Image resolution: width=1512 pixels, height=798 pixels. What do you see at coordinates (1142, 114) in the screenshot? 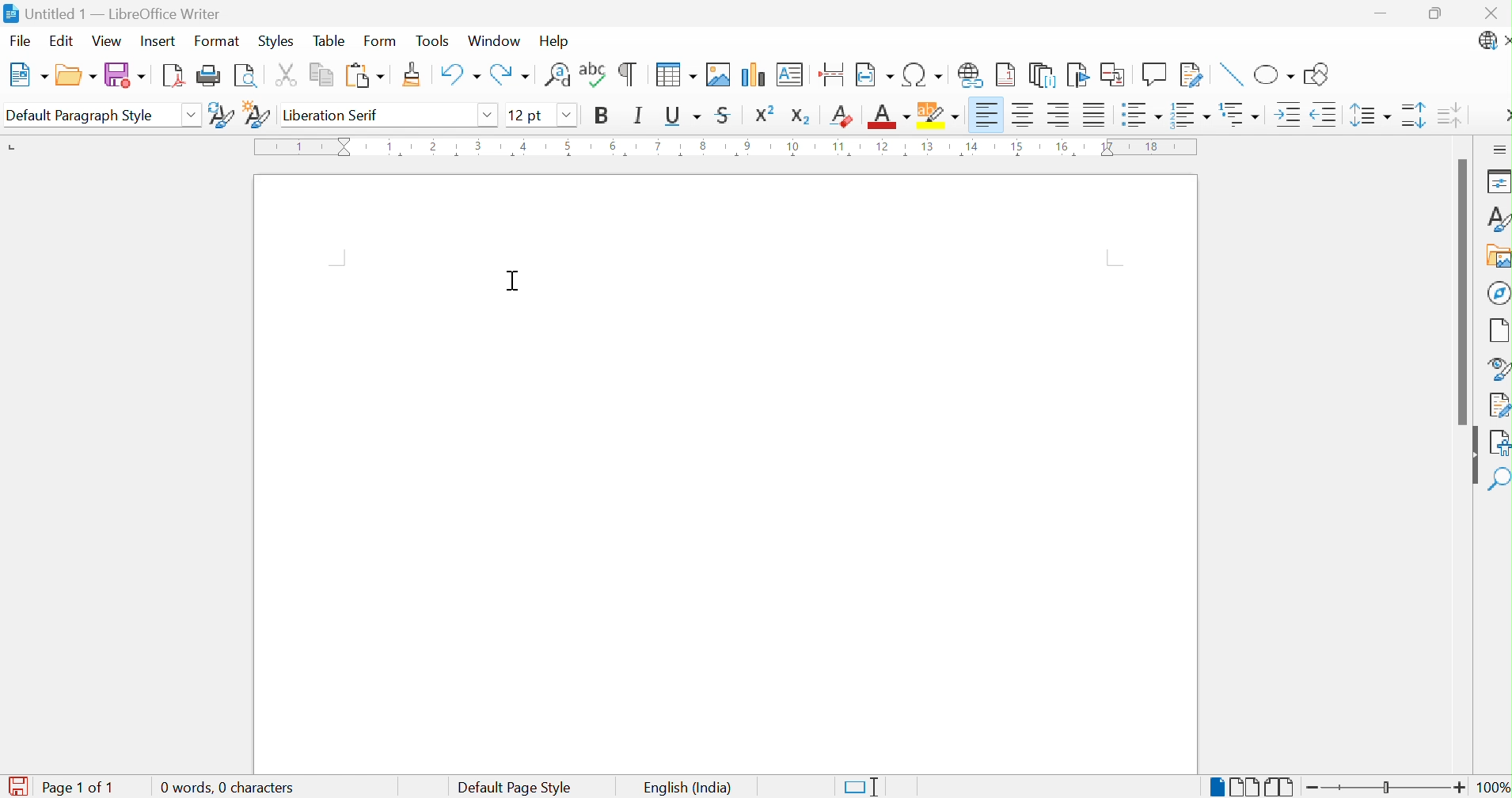
I see `Toggle Unordered List` at bounding box center [1142, 114].